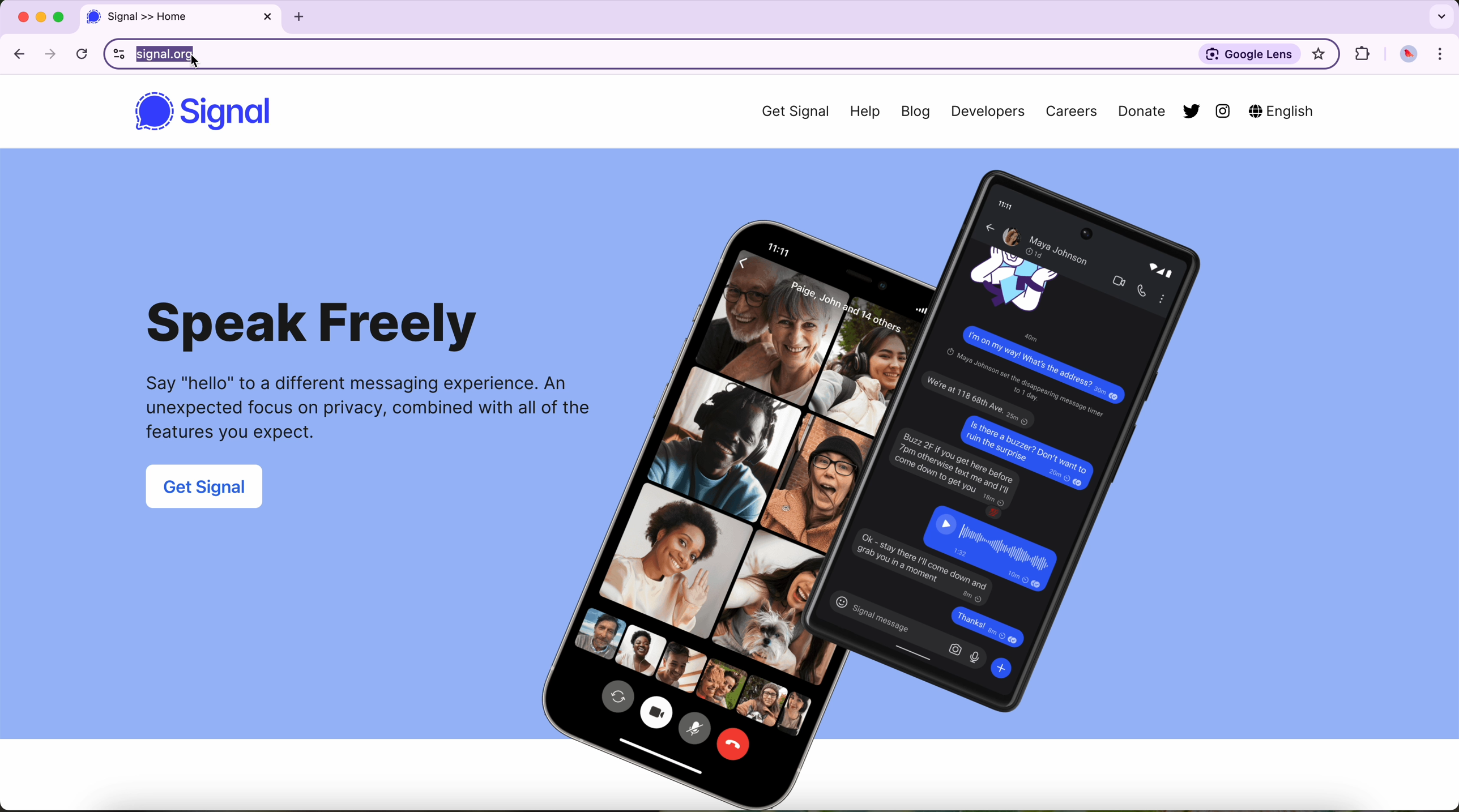 The height and width of the screenshot is (812, 1459). I want to click on Help, so click(867, 111).